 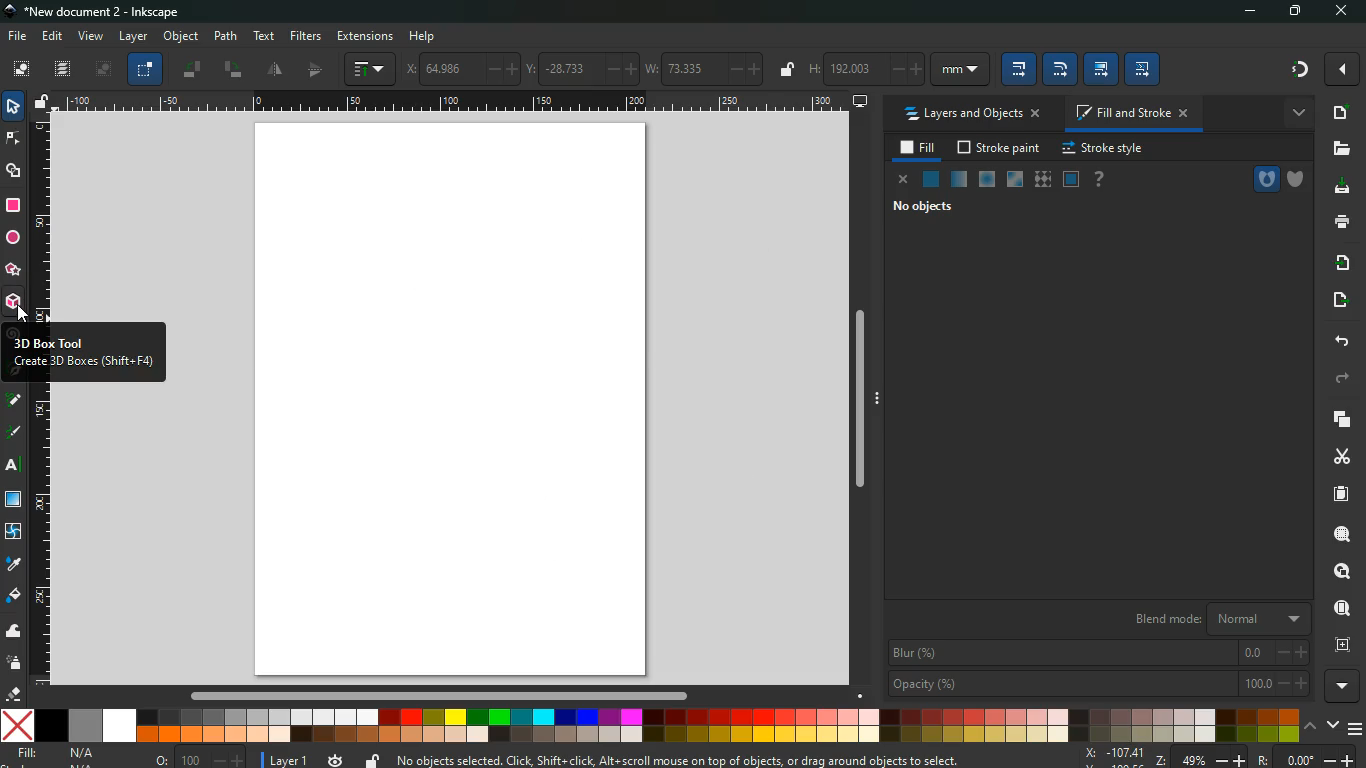 What do you see at coordinates (458, 68) in the screenshot?
I see `x` at bounding box center [458, 68].